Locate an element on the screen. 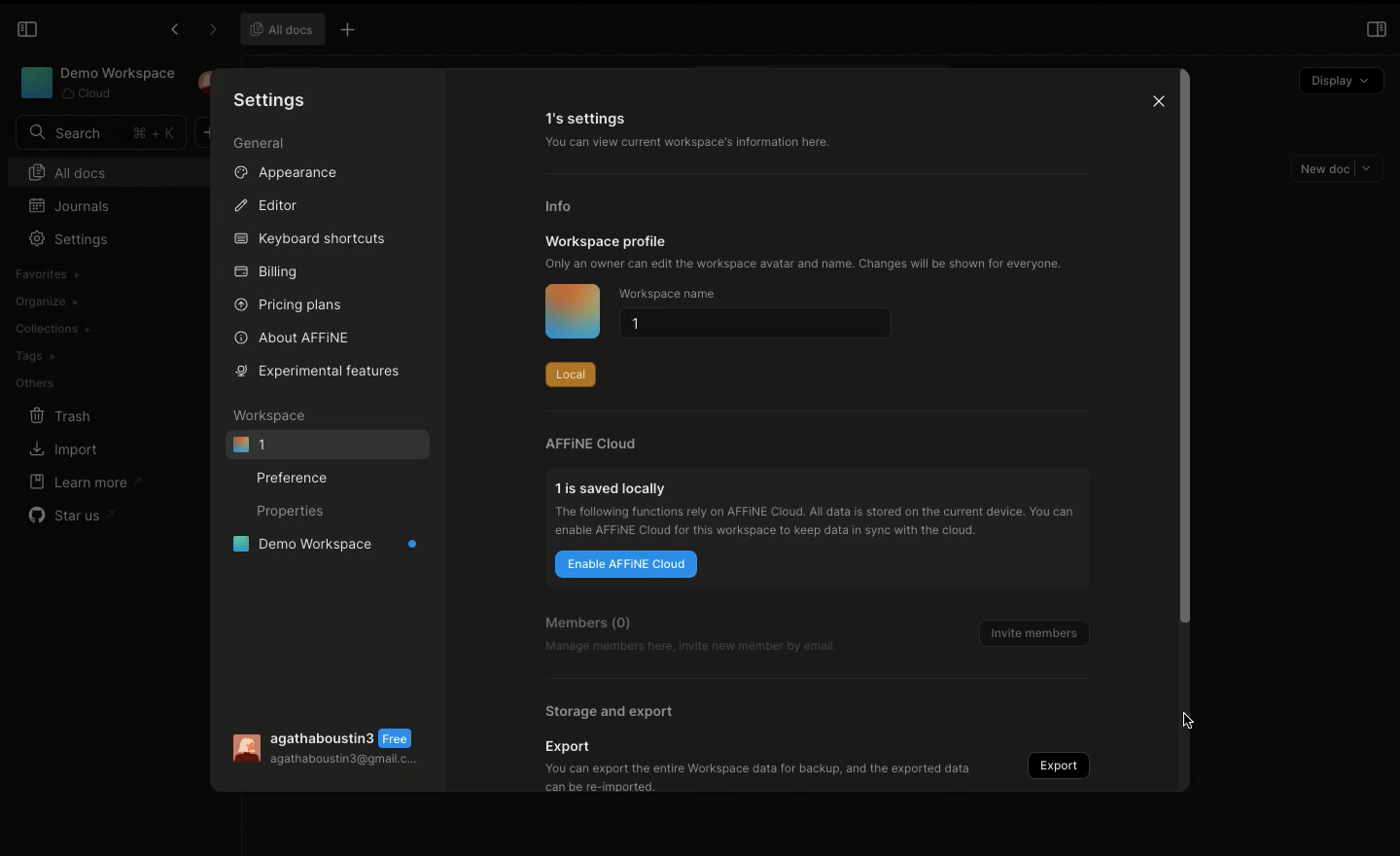 The width and height of the screenshot is (1400, 856). Others is located at coordinates (34, 381).